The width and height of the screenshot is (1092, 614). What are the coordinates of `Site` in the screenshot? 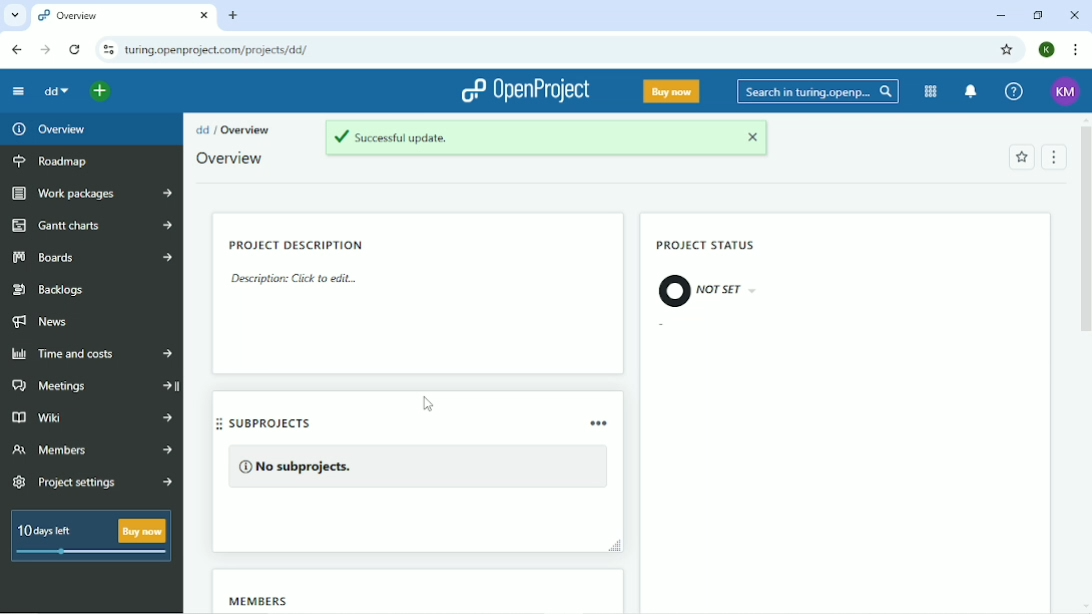 It's located at (219, 50).